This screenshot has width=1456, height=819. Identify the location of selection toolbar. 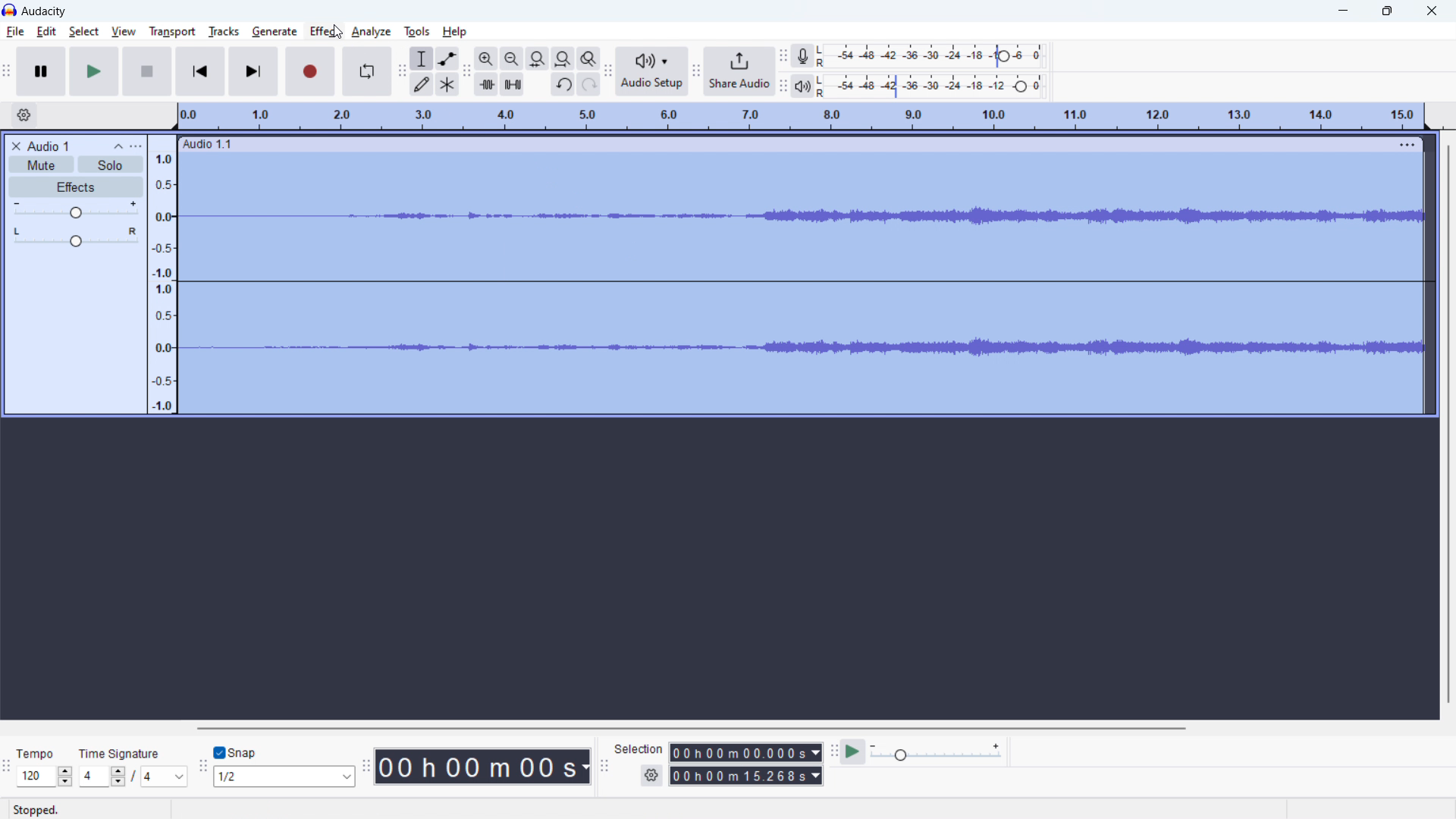
(603, 765).